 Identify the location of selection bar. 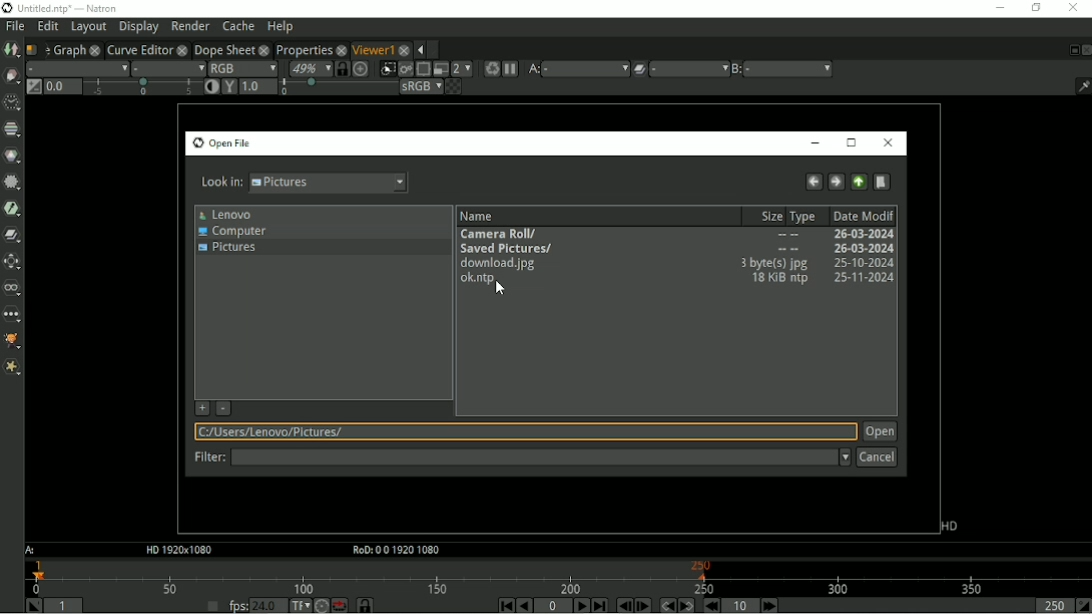
(337, 87).